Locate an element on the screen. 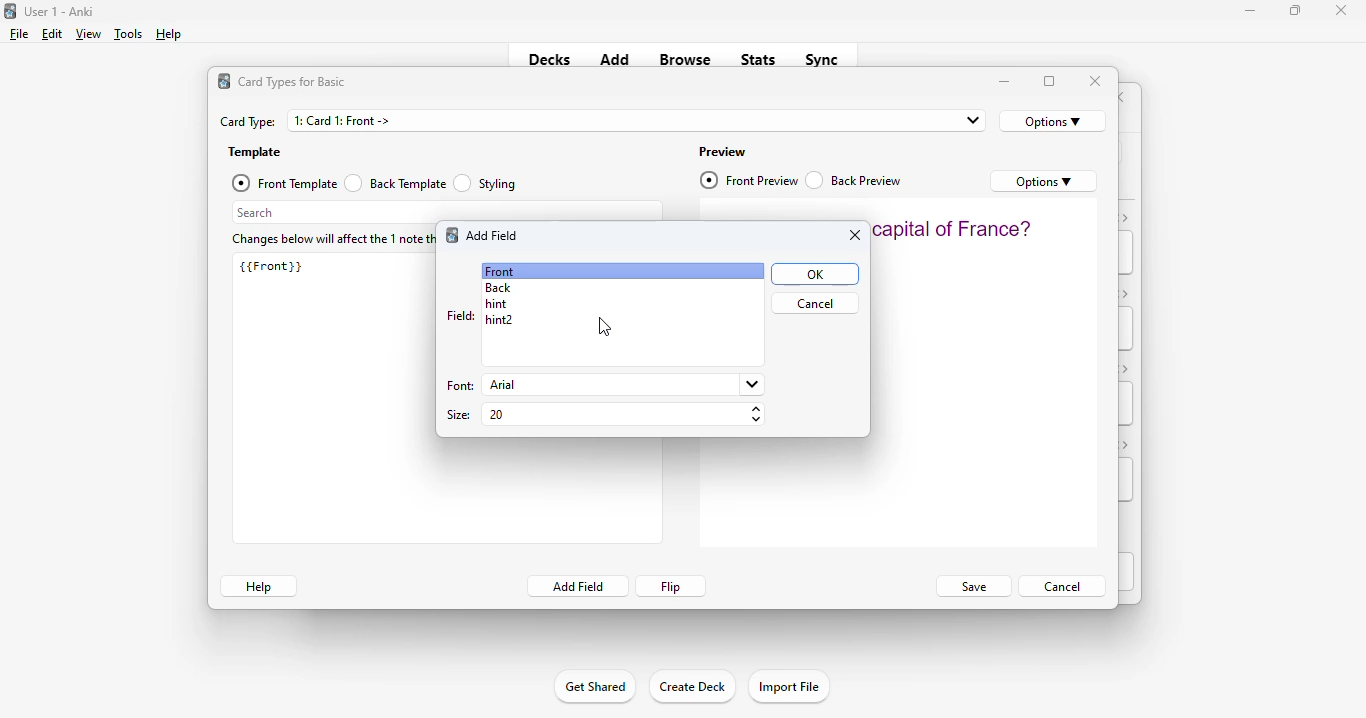 The height and width of the screenshot is (718, 1366). save is located at coordinates (972, 587).